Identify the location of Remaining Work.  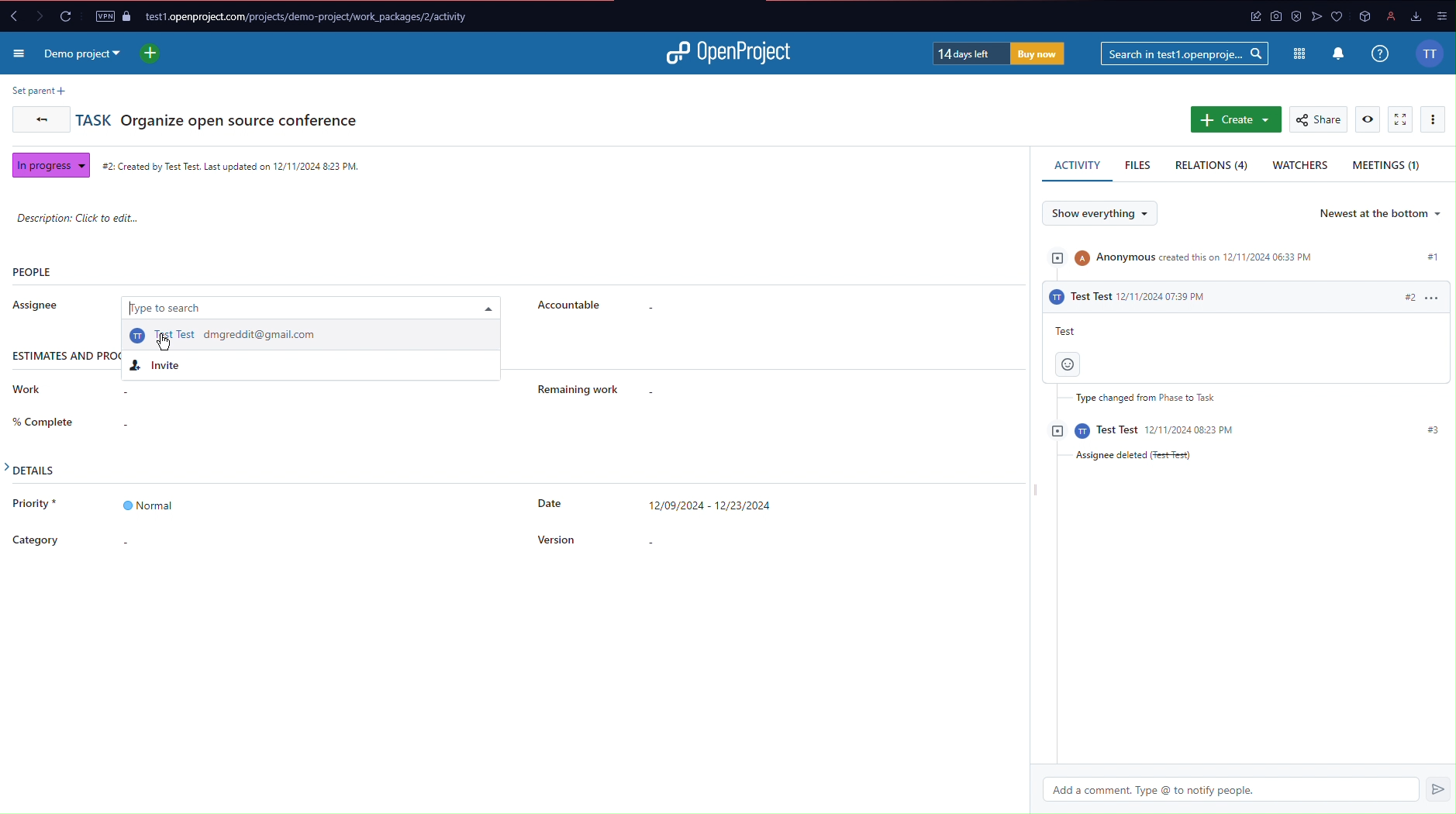
(572, 385).